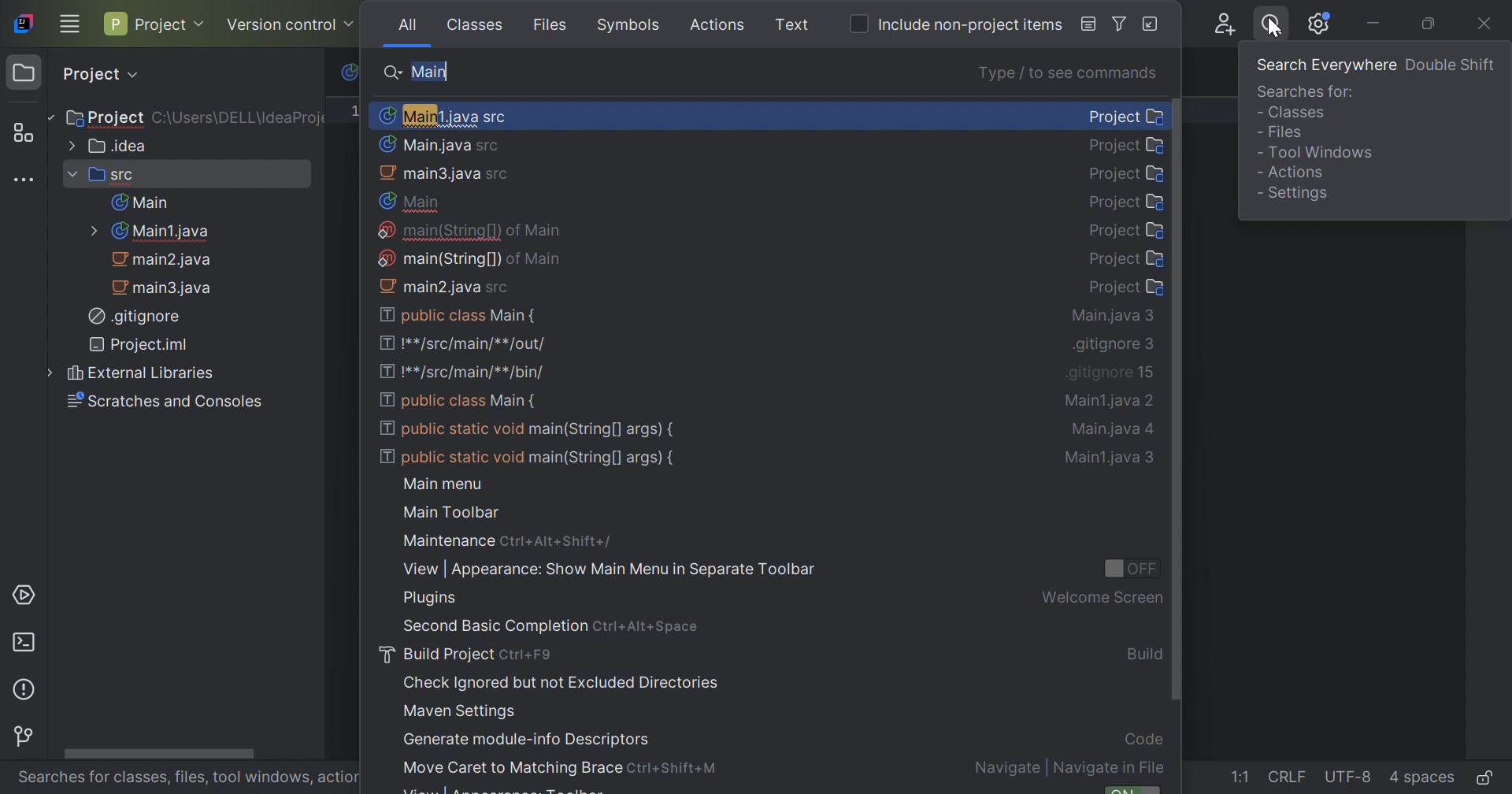 This screenshot has width=1512, height=794. Describe the element at coordinates (969, 25) in the screenshot. I see `Include non-project items` at that location.